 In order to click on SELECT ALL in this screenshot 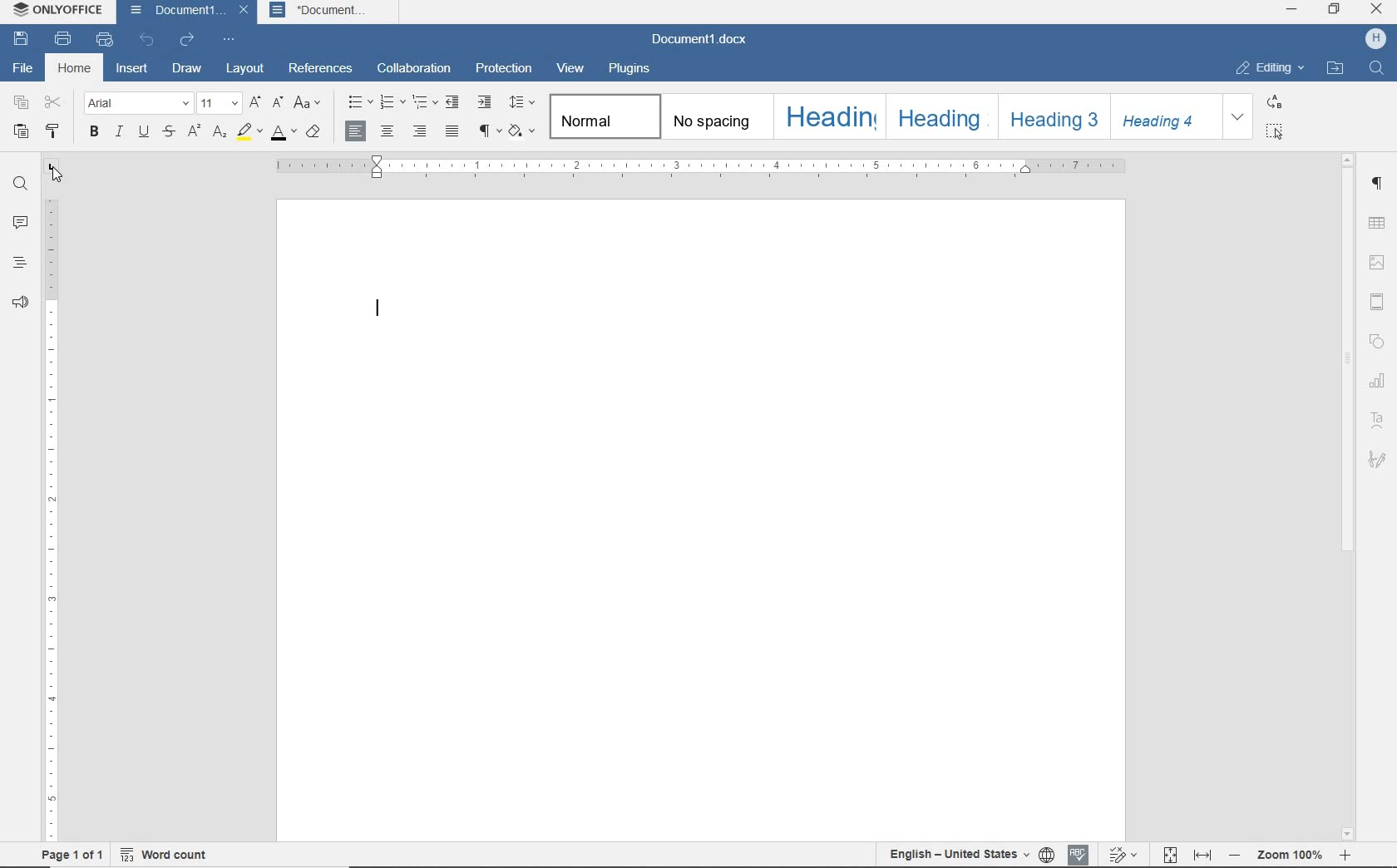, I will do `click(1276, 132)`.